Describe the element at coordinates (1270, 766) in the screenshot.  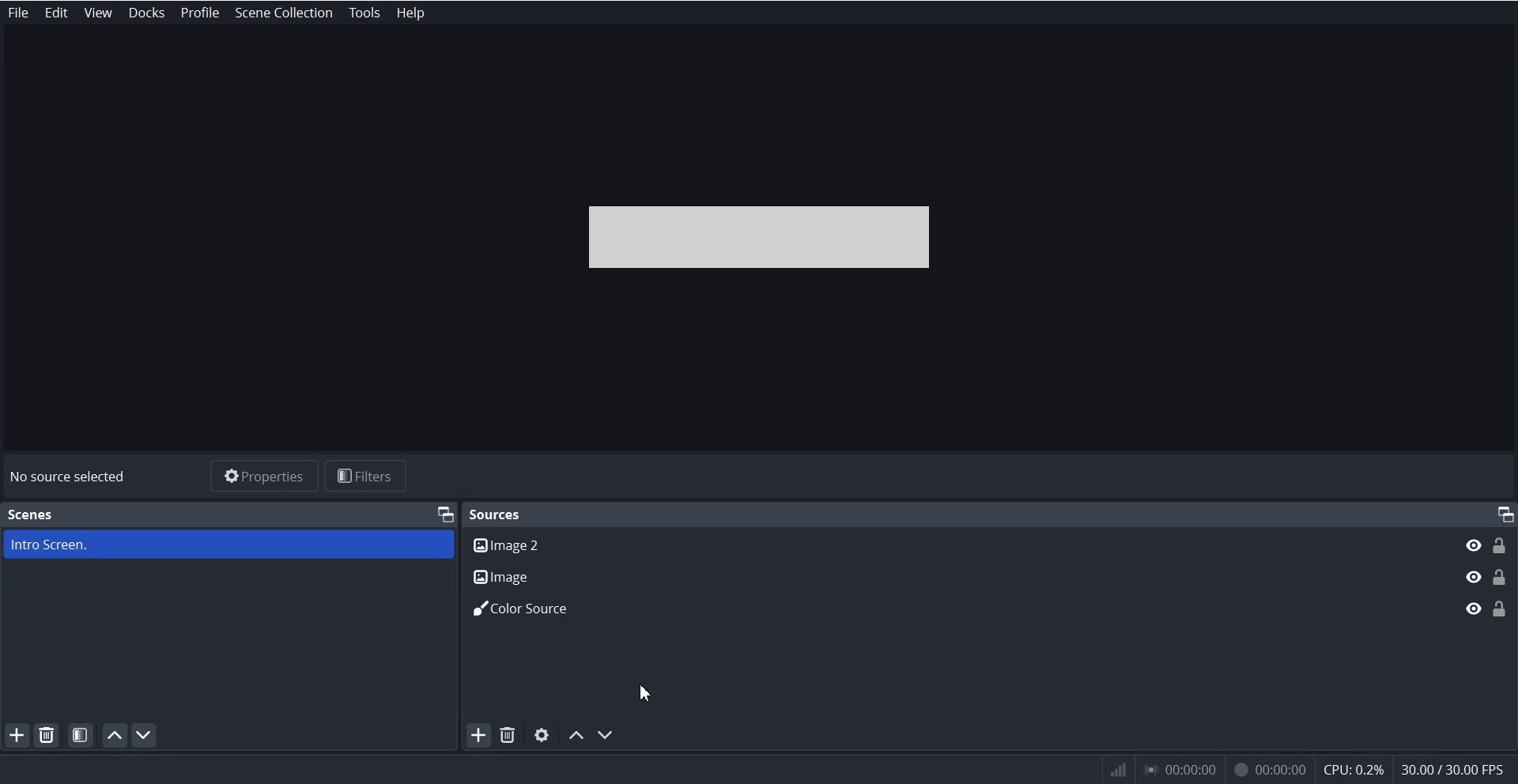
I see `00:00:00` at that location.